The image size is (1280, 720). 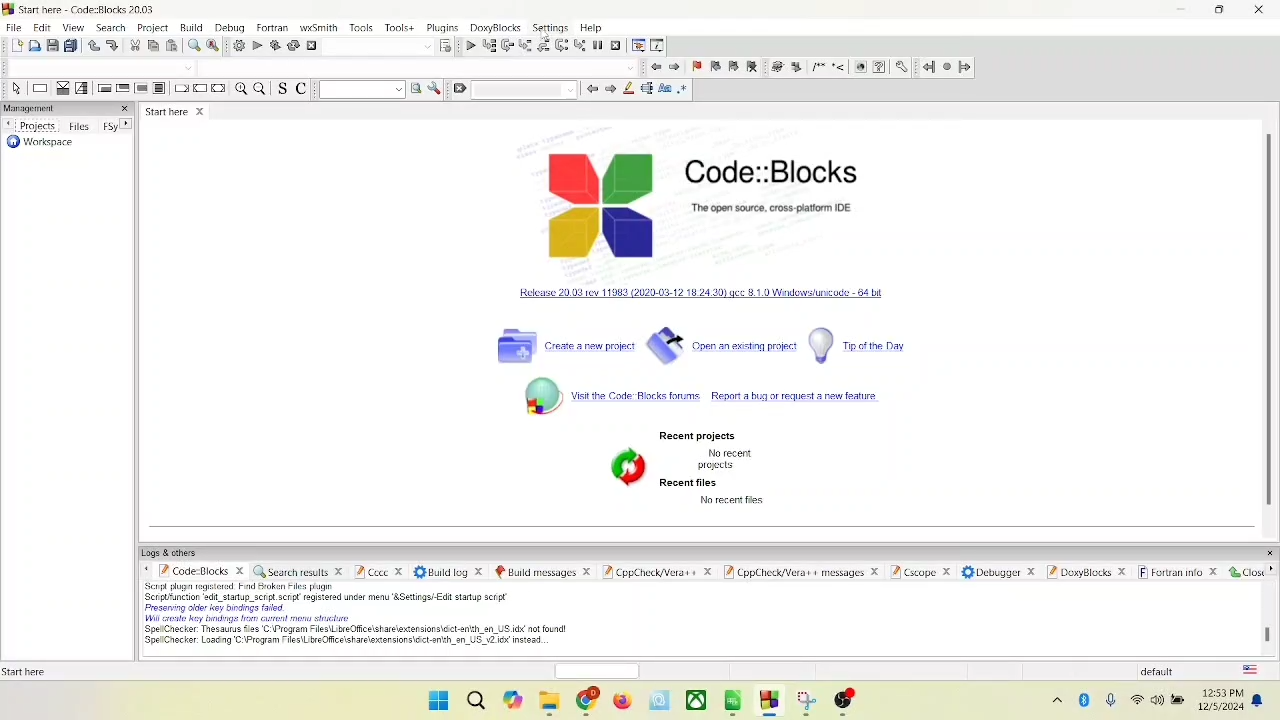 What do you see at coordinates (320, 28) in the screenshot?
I see `wxSmith` at bounding box center [320, 28].